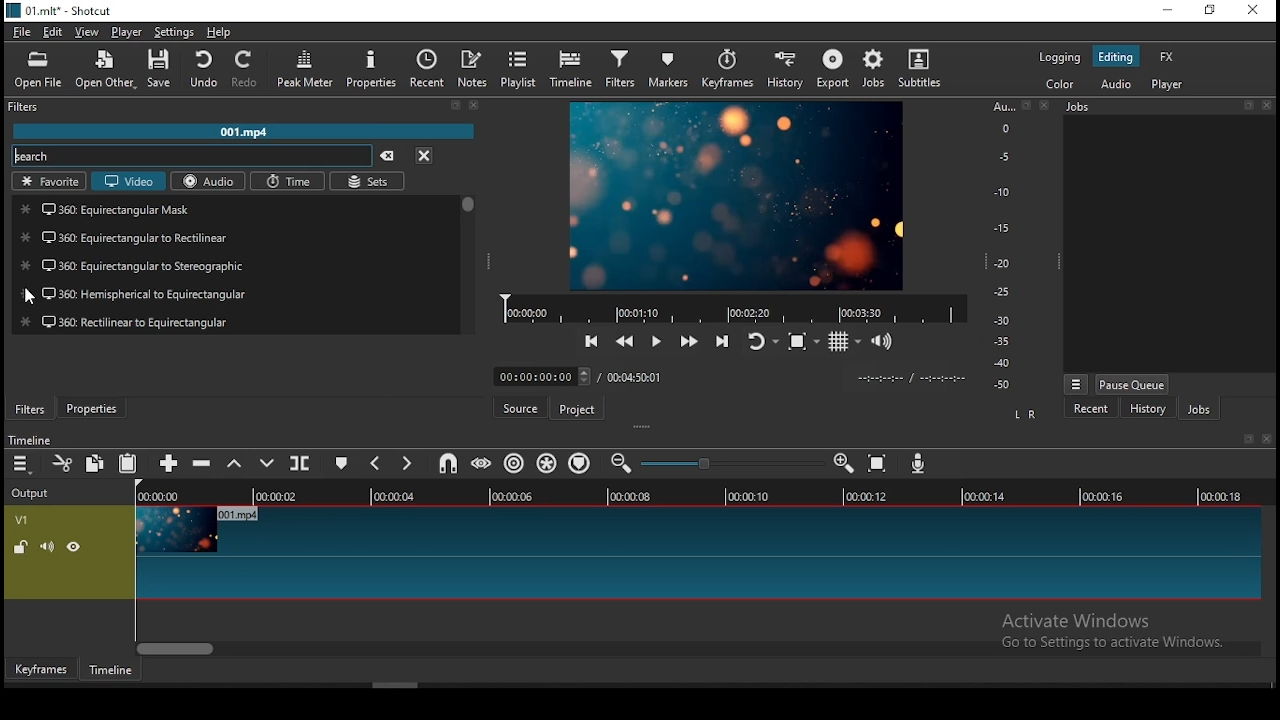 Image resolution: width=1280 pixels, height=720 pixels. Describe the element at coordinates (30, 108) in the screenshot. I see `Filters` at that location.